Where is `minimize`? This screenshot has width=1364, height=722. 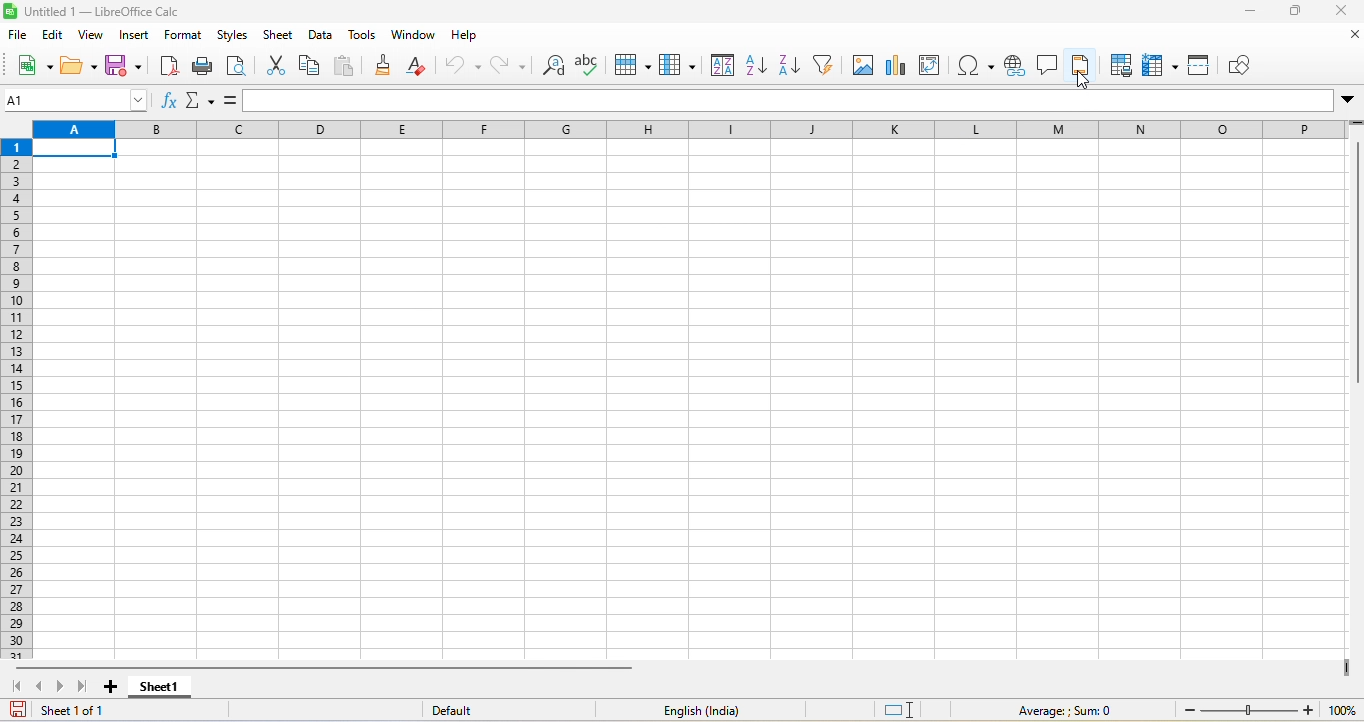
minimize is located at coordinates (1254, 13).